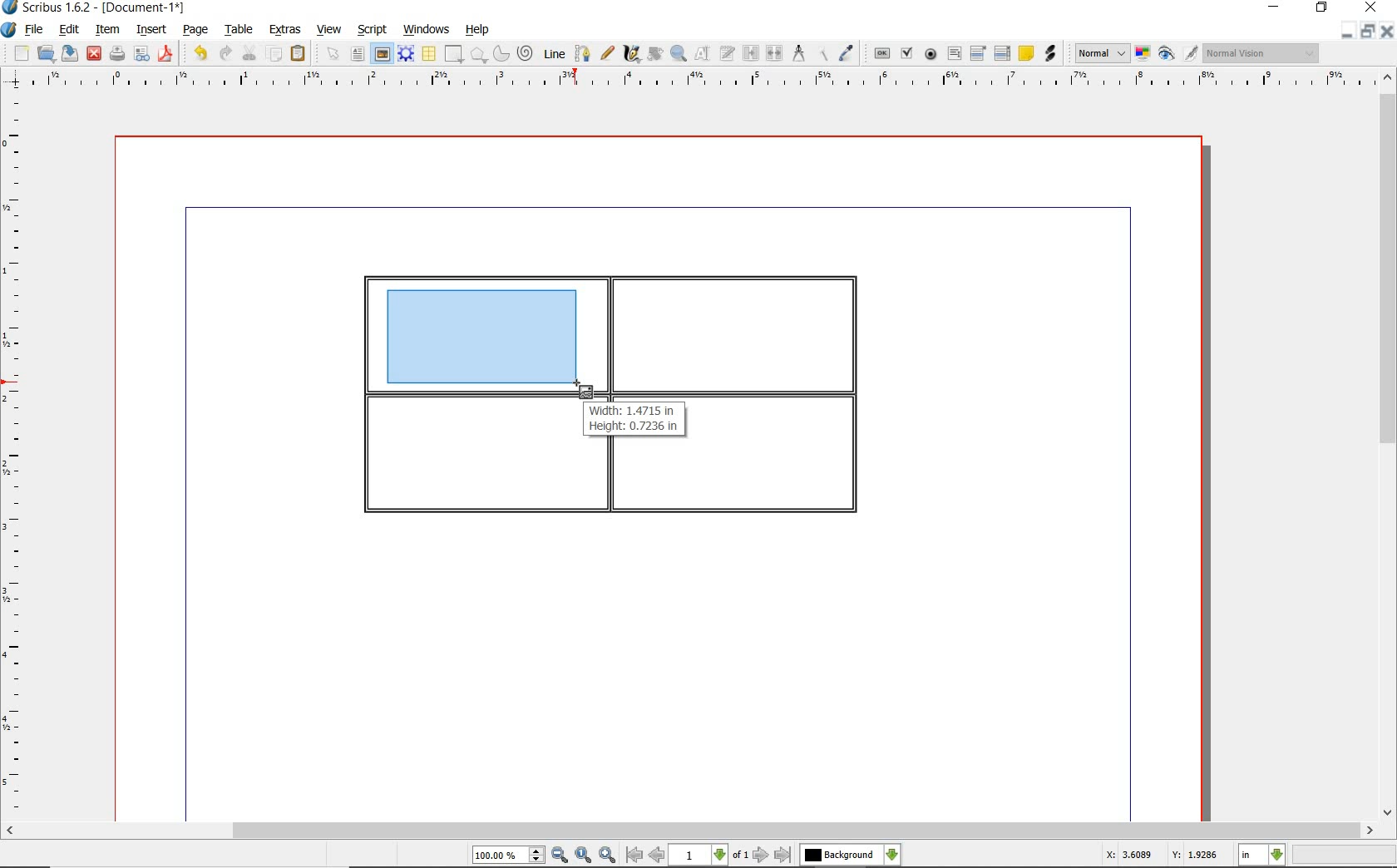 This screenshot has height=868, width=1397. I want to click on item, so click(106, 30).